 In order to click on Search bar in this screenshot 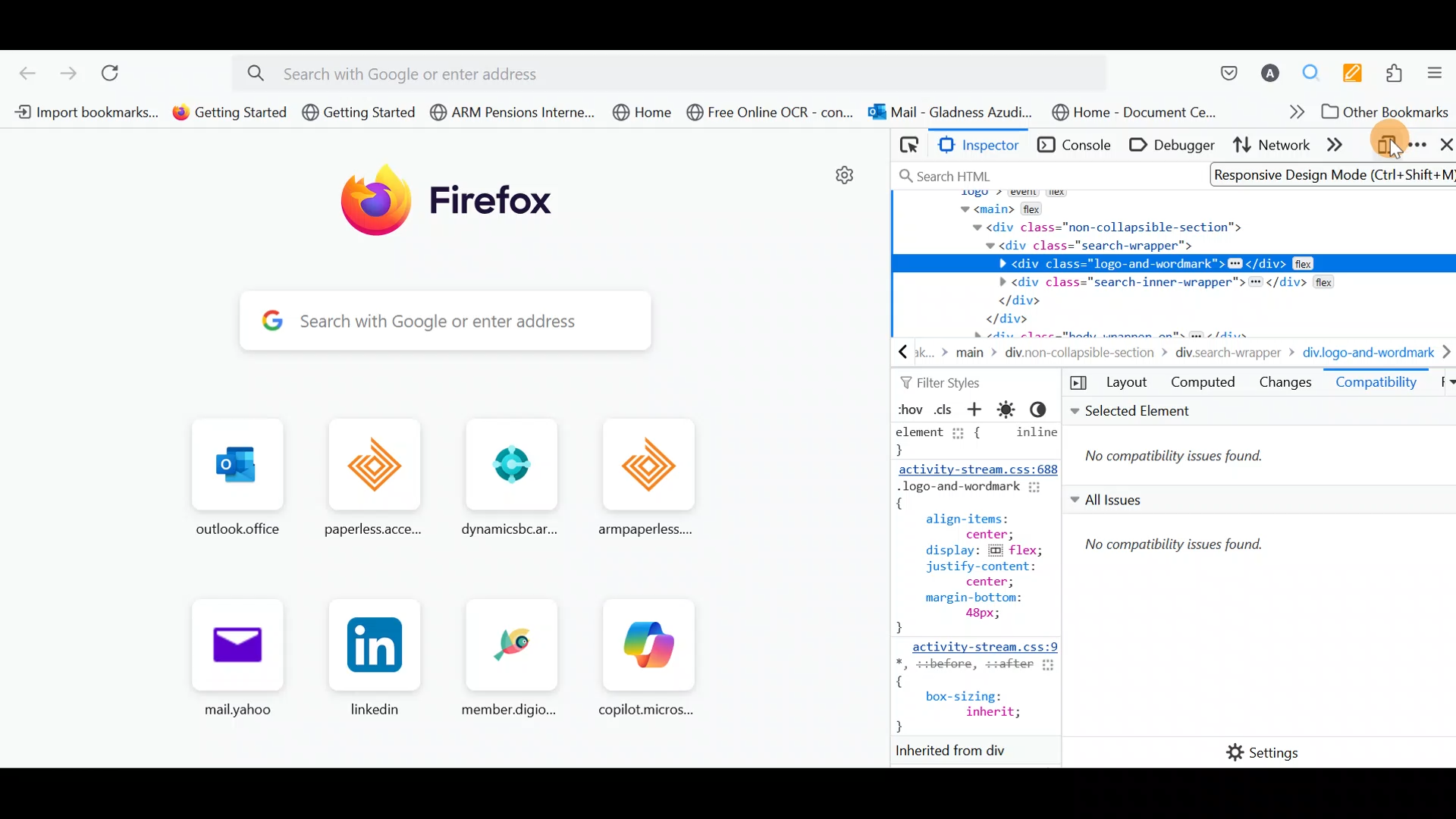, I will do `click(430, 322)`.